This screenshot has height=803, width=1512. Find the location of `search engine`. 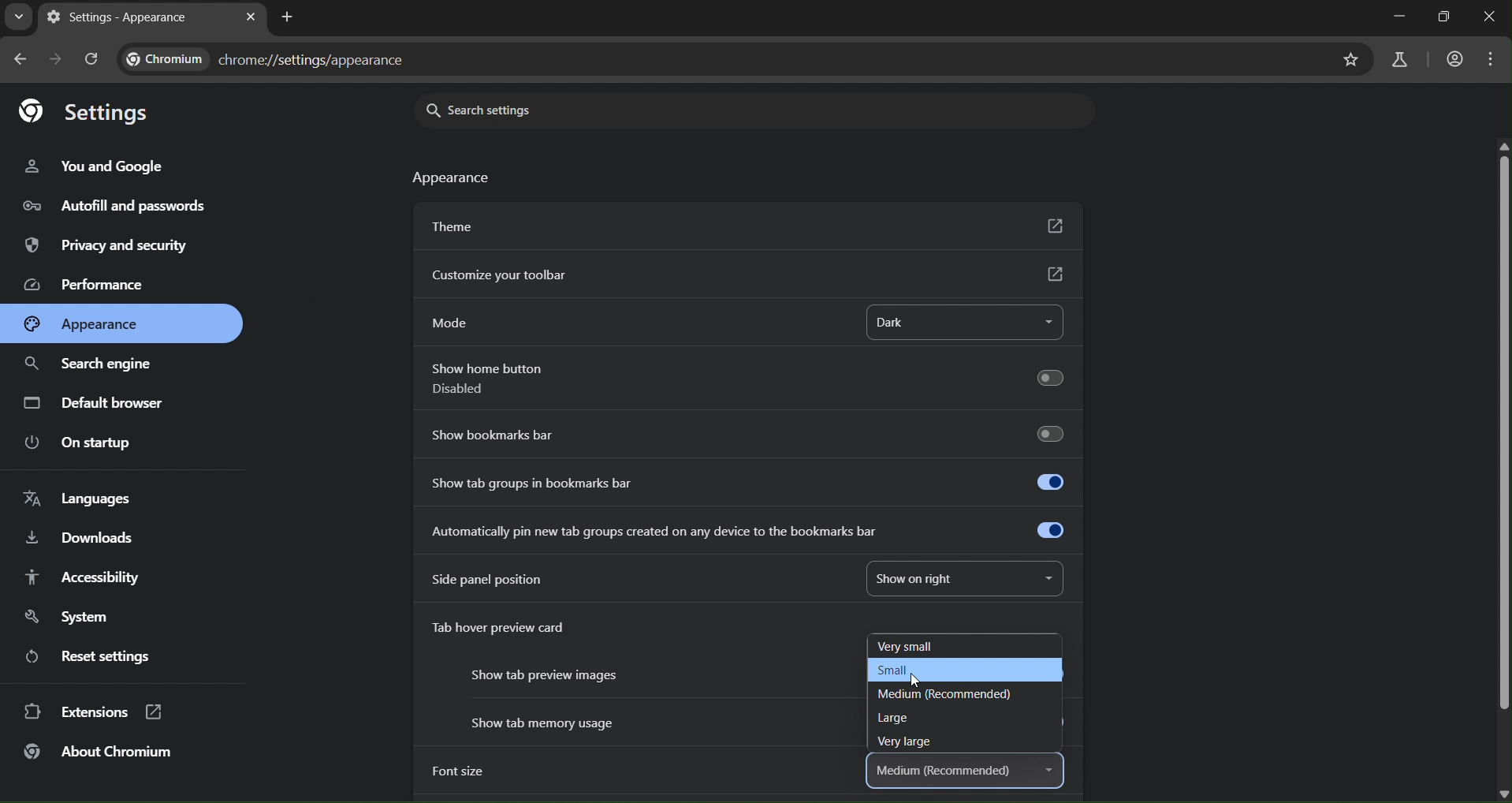

search engine is located at coordinates (88, 364).